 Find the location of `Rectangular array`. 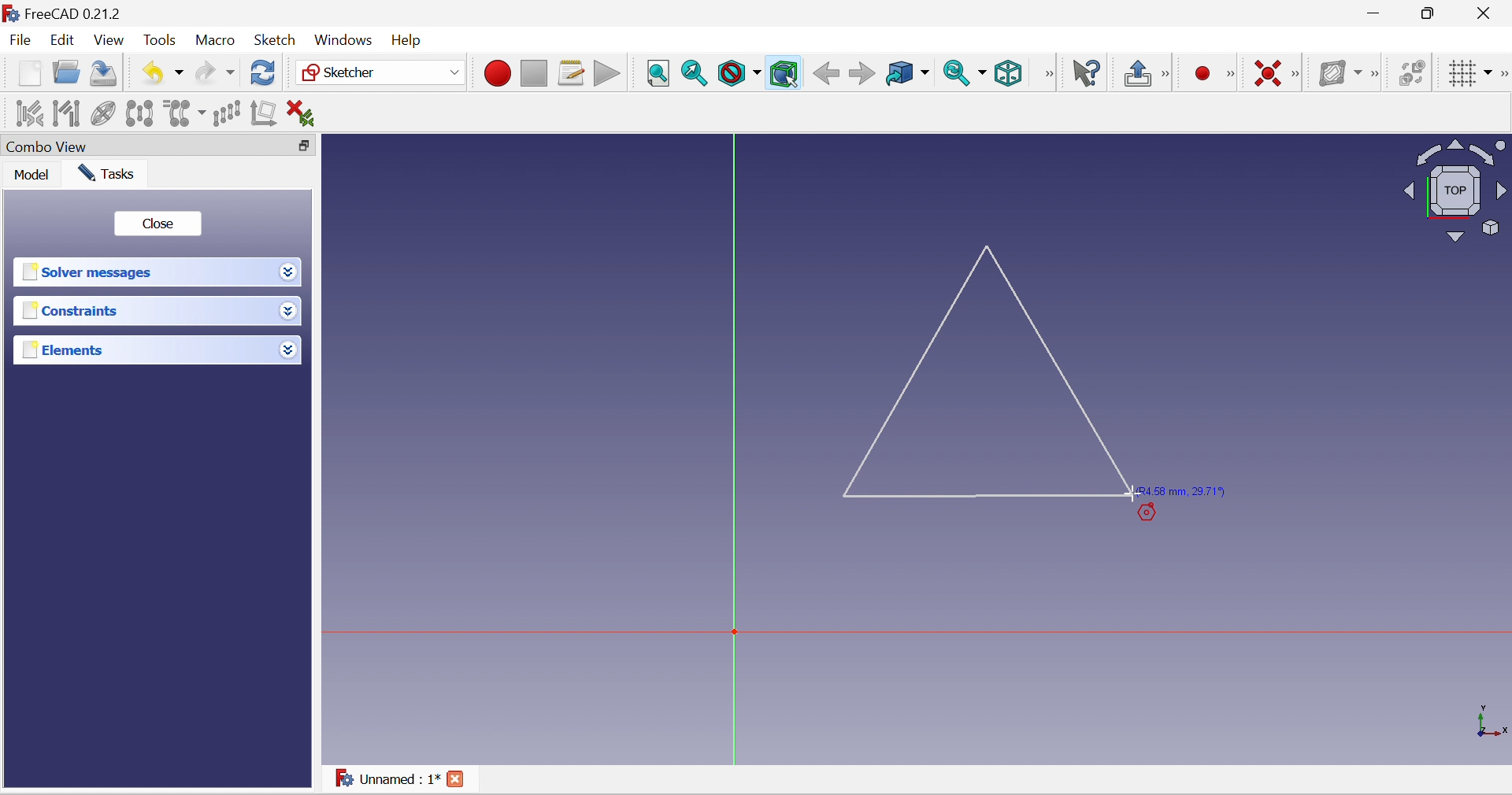

Rectangular array is located at coordinates (228, 113).